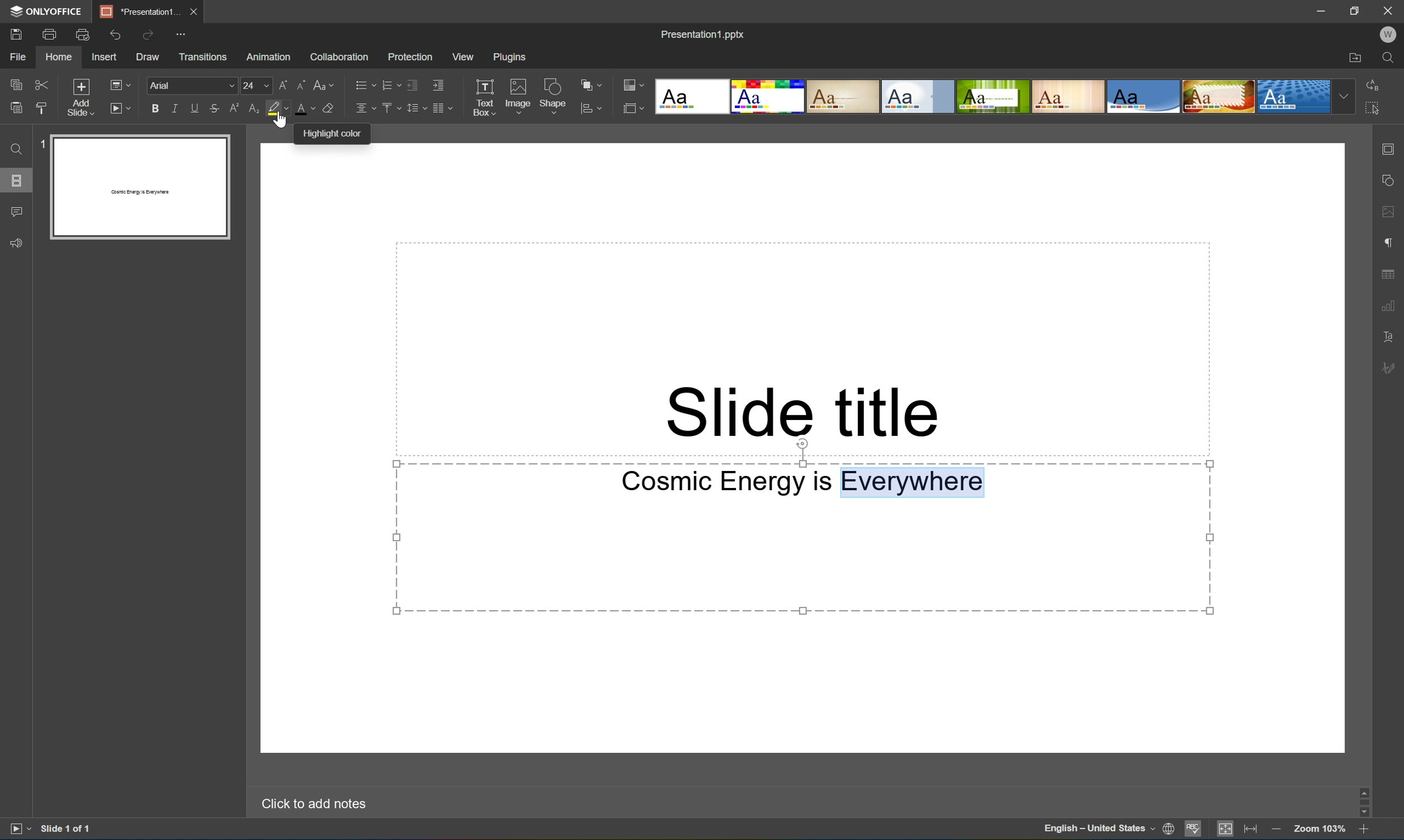 The width and height of the screenshot is (1404, 840). I want to click on Zoom 100%, so click(1320, 830).